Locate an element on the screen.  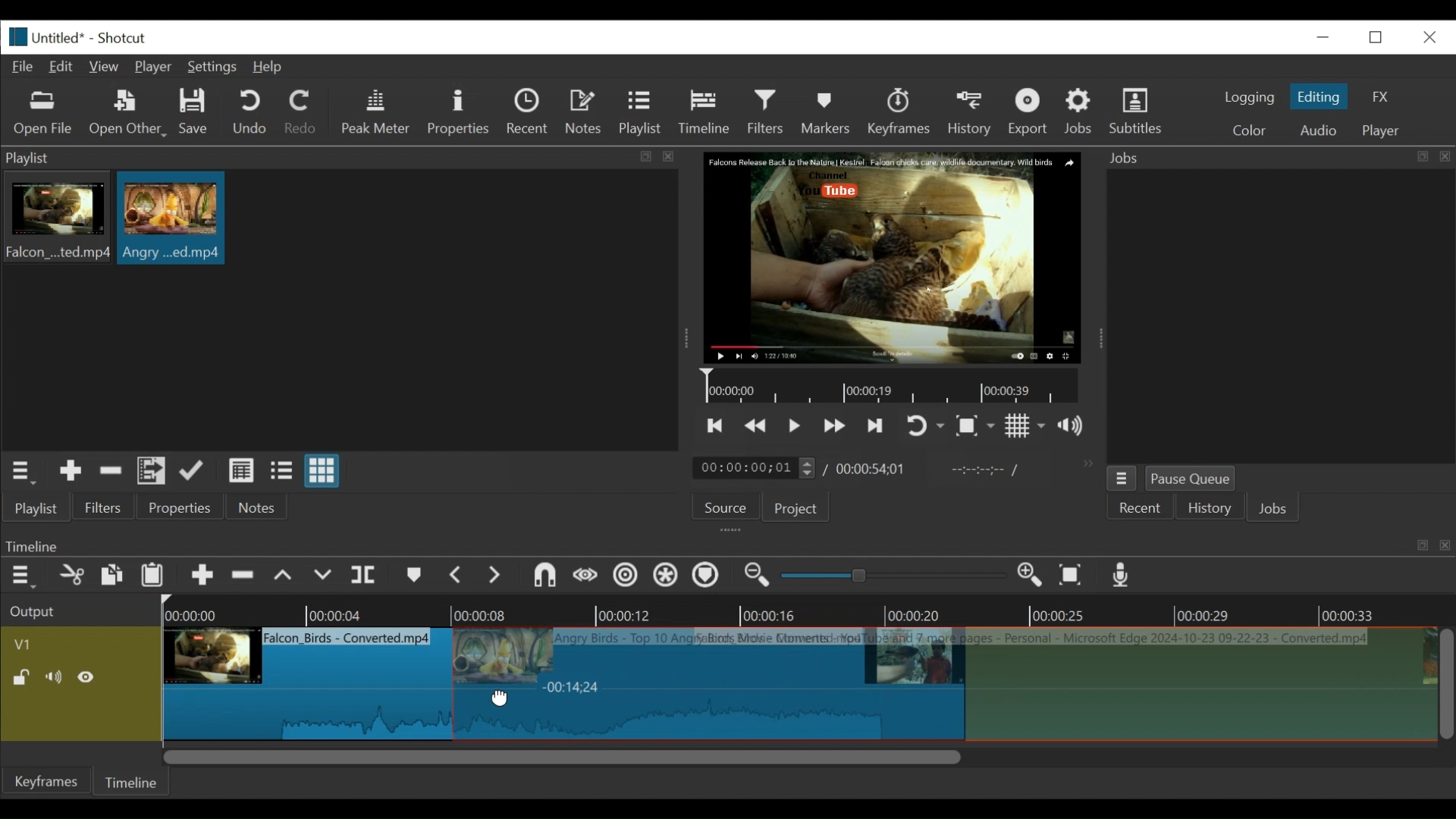
copy is located at coordinates (113, 577).